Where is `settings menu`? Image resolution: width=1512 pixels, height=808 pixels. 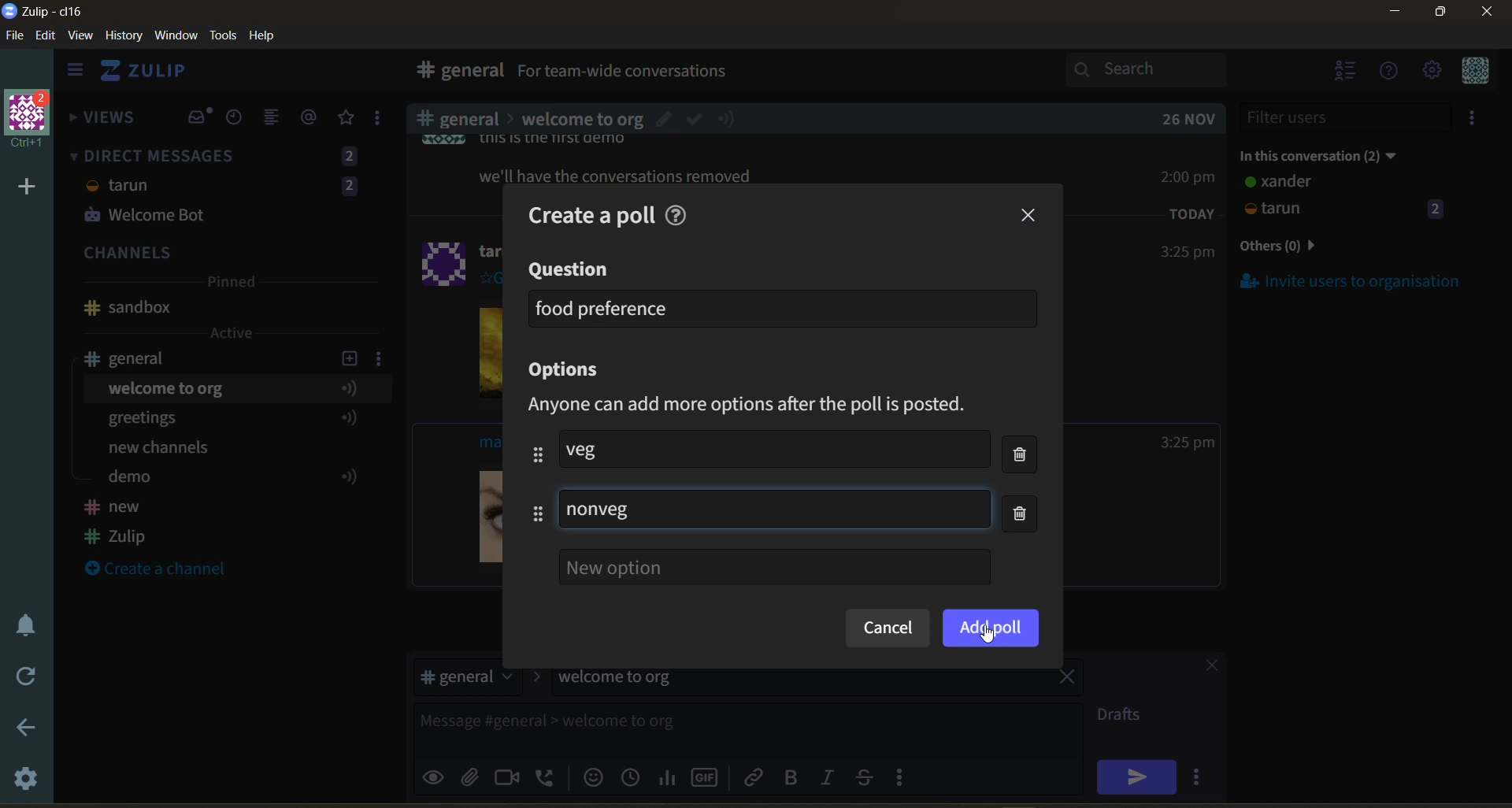
settings menu is located at coordinates (1431, 72).